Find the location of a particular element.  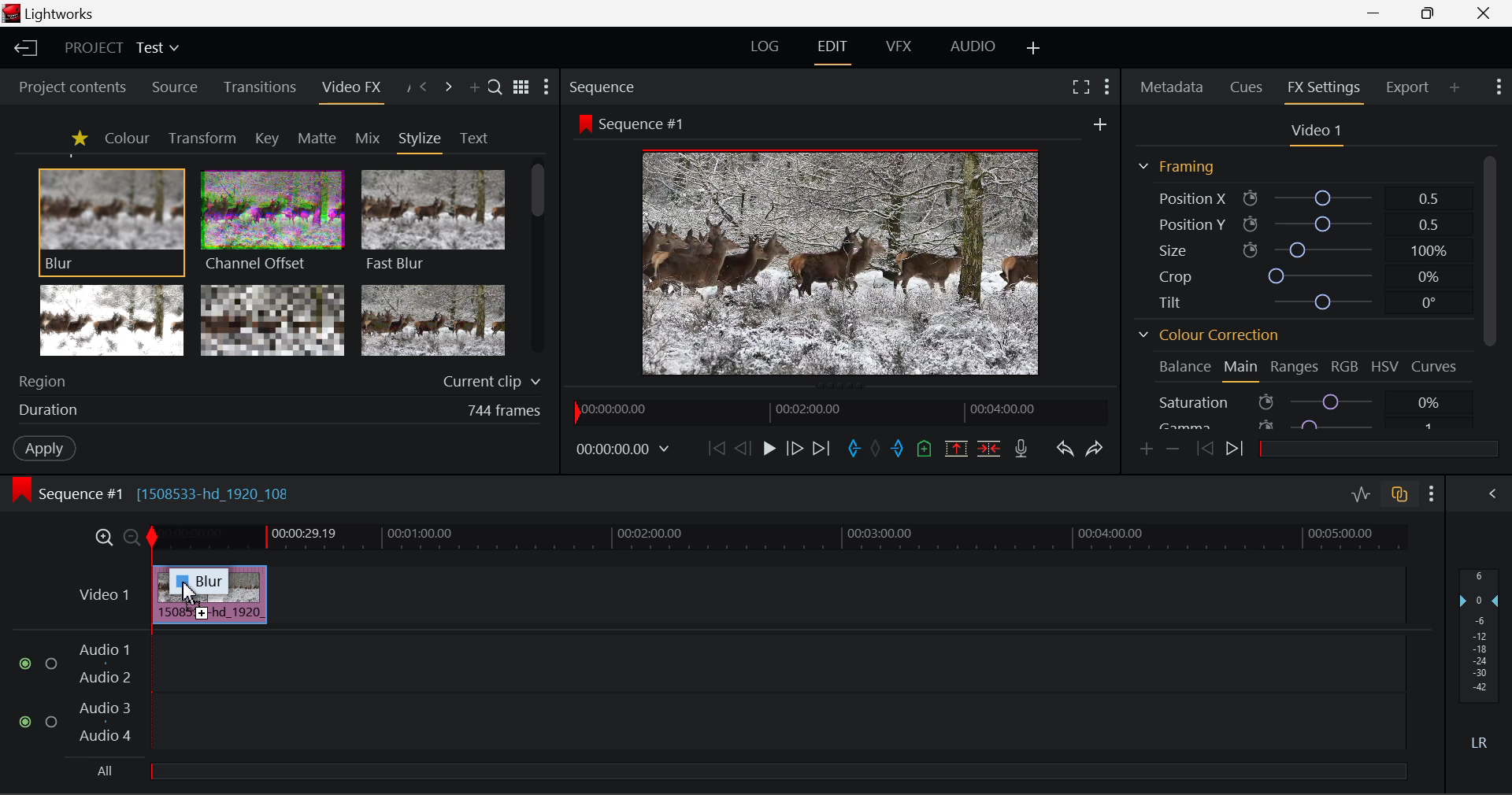

VFX Layout is located at coordinates (899, 49).